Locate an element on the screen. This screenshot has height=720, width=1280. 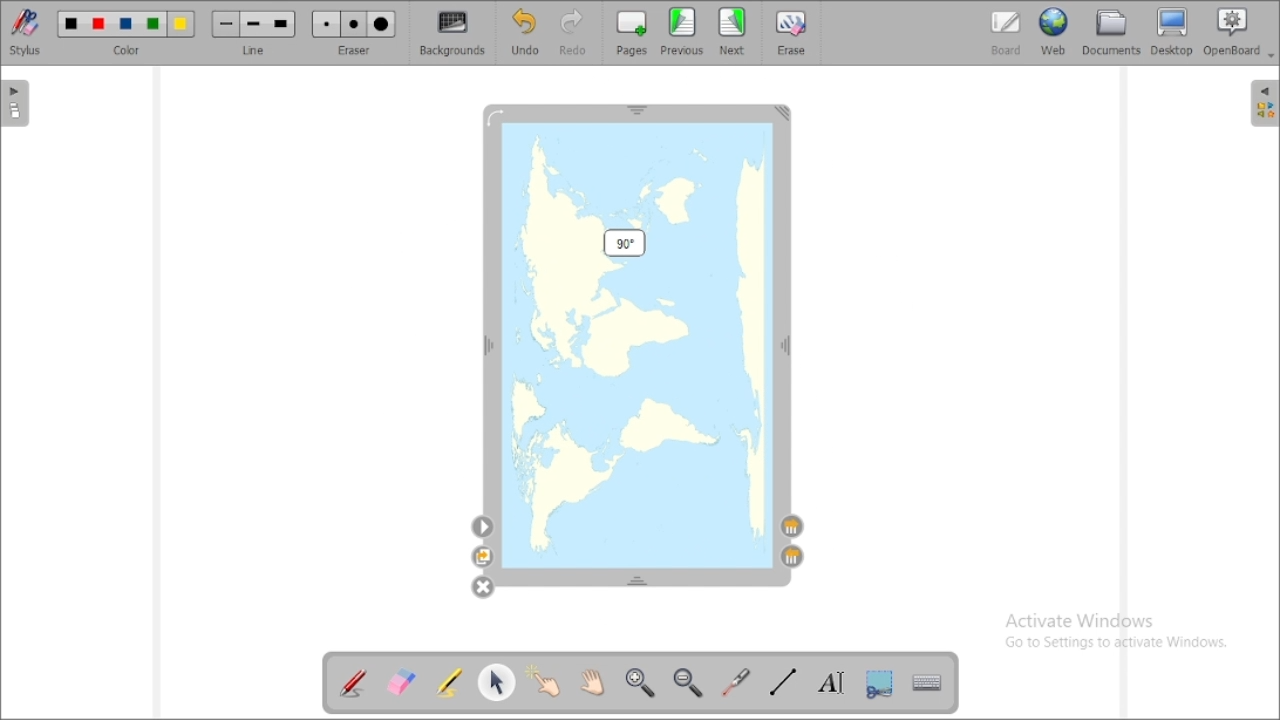
color is located at coordinates (127, 32).